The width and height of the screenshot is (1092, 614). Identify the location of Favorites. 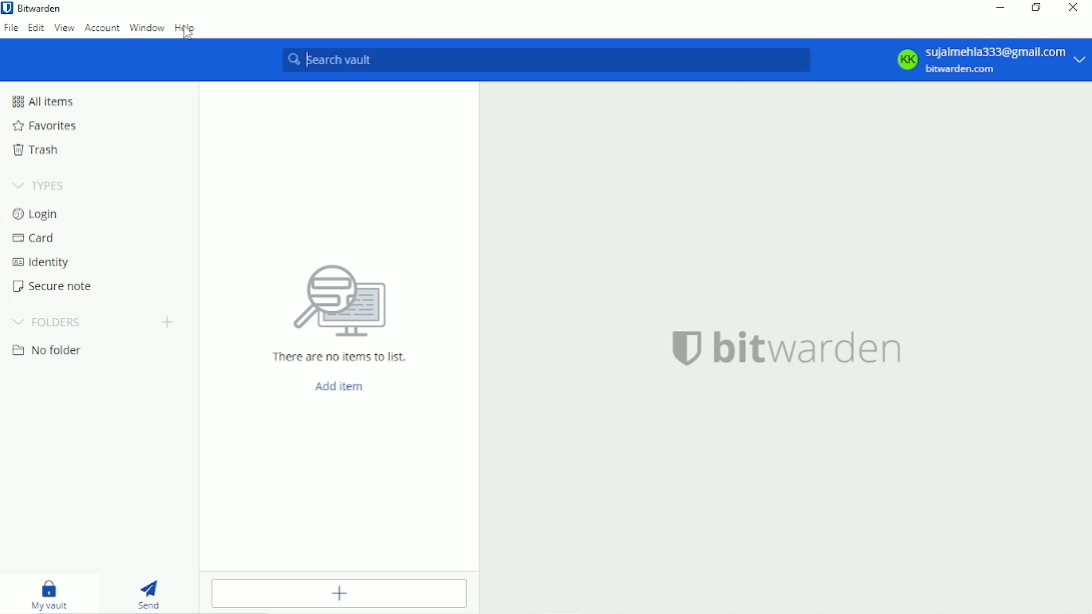
(48, 123).